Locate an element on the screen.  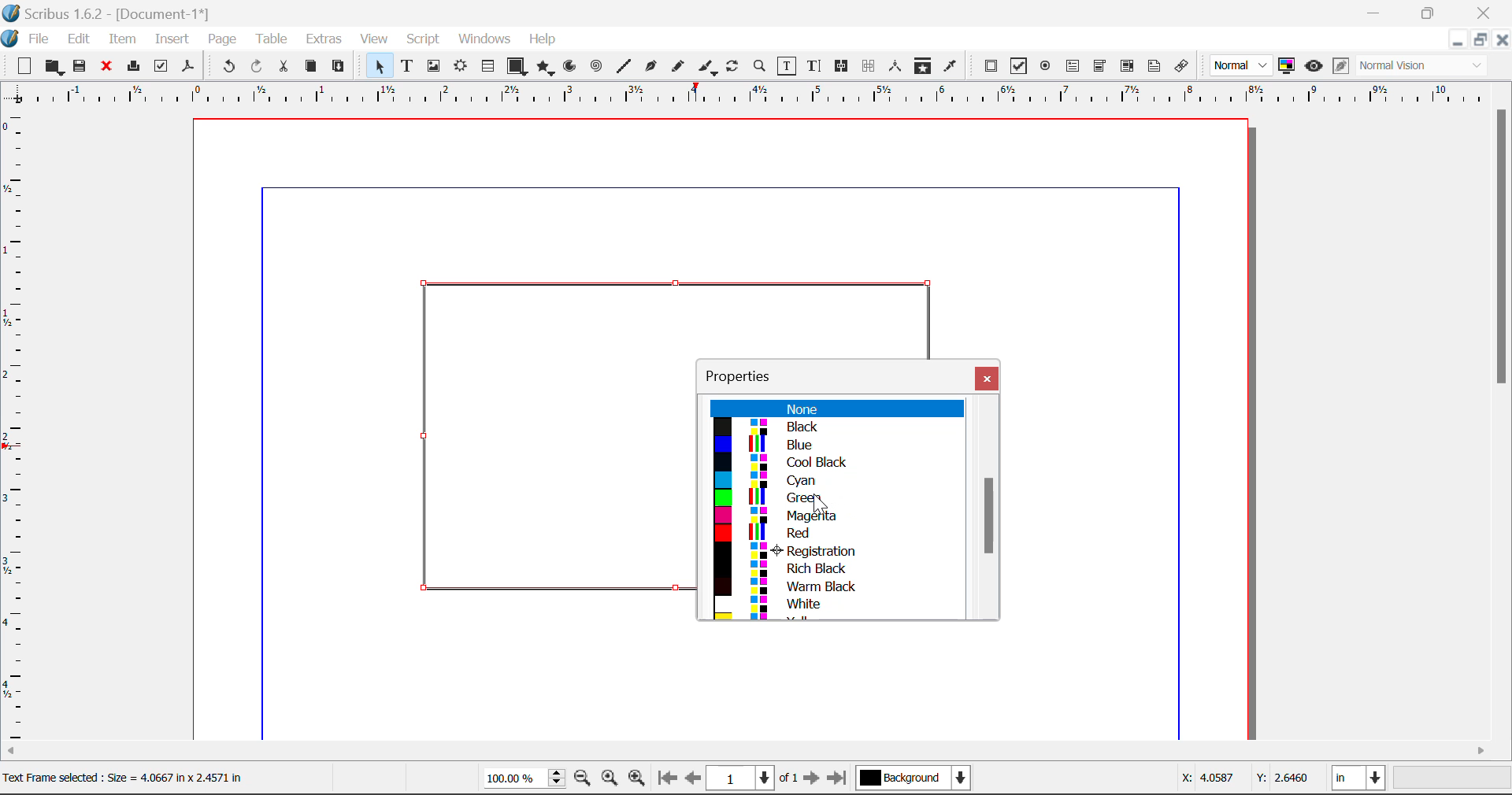
Image Frame is located at coordinates (433, 66).